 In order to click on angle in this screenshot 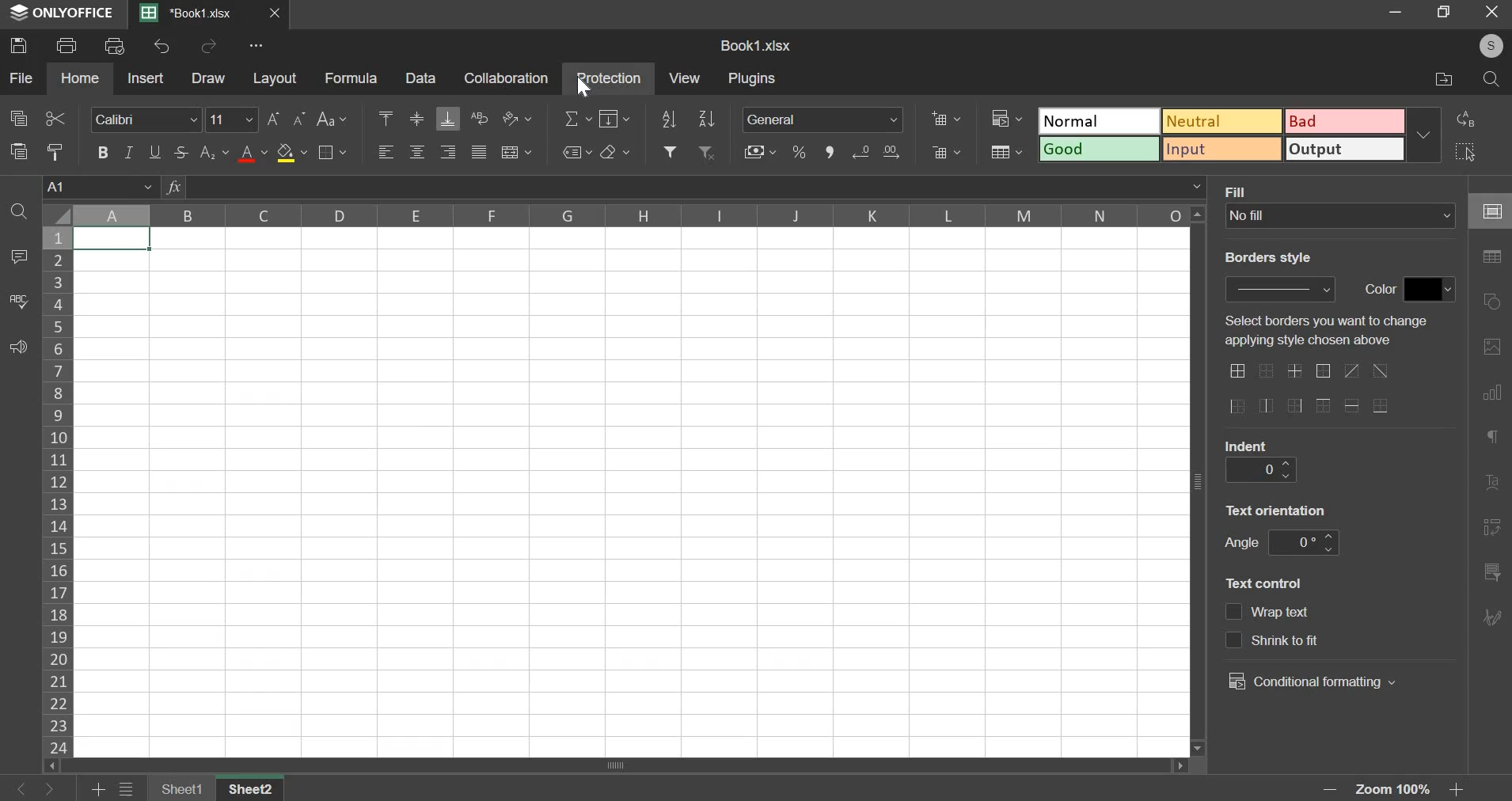, I will do `click(1240, 542)`.